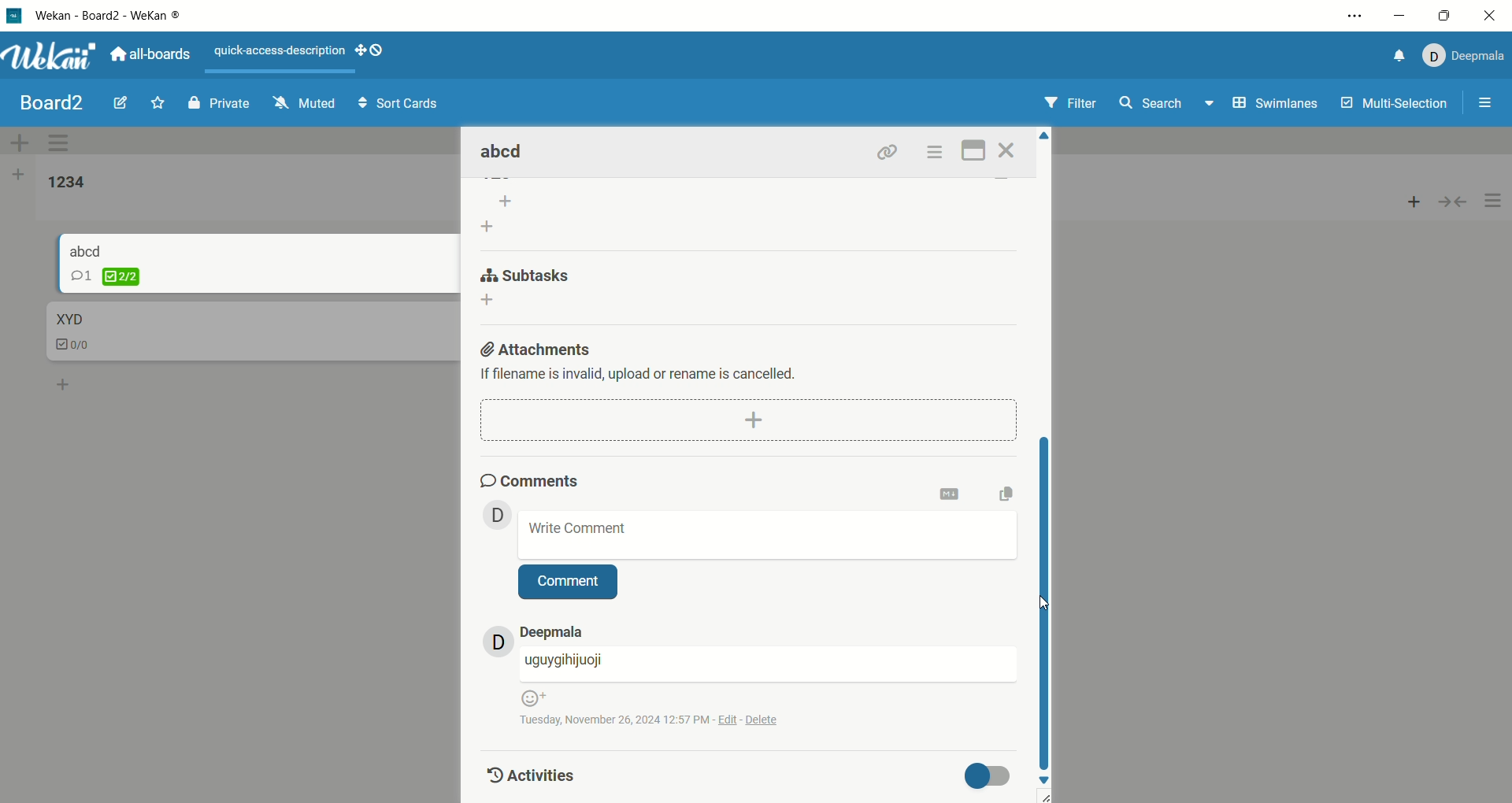  Describe the element at coordinates (951, 495) in the screenshot. I see `onvert to markdown` at that location.